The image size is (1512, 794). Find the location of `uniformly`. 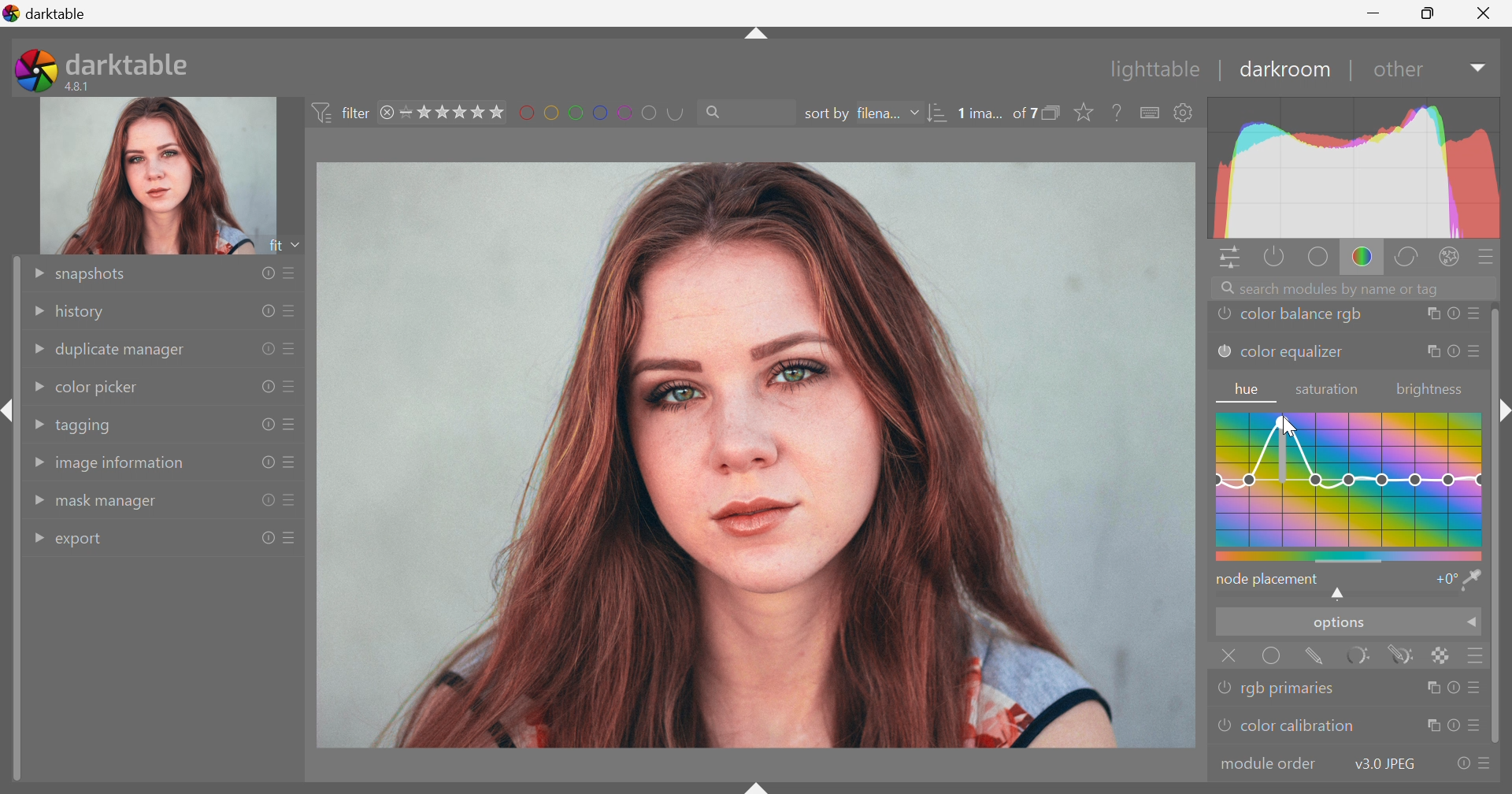

uniformly is located at coordinates (1273, 658).